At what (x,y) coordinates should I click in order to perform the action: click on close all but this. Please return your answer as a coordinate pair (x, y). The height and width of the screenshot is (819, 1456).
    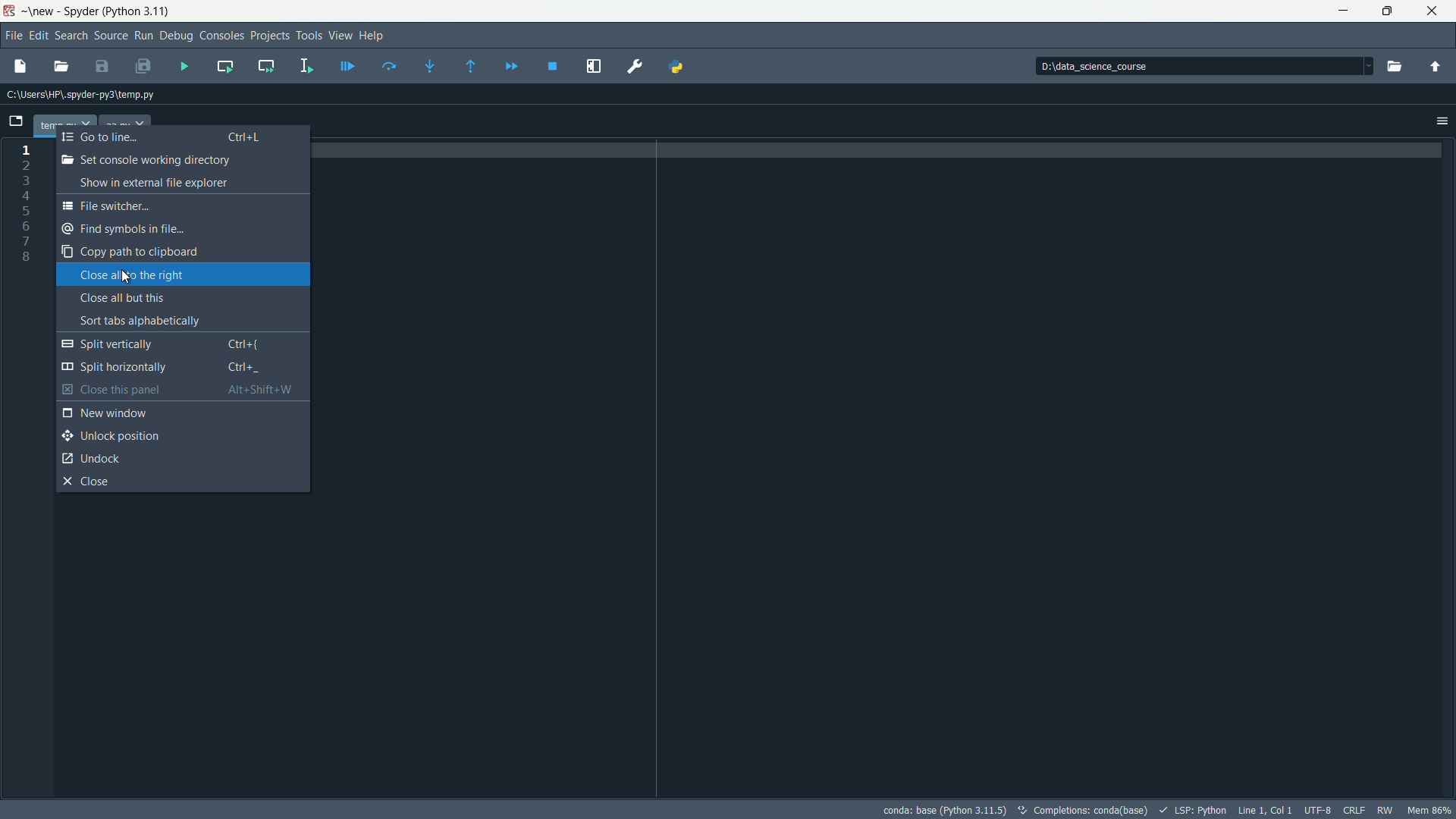
    Looking at the image, I should click on (121, 297).